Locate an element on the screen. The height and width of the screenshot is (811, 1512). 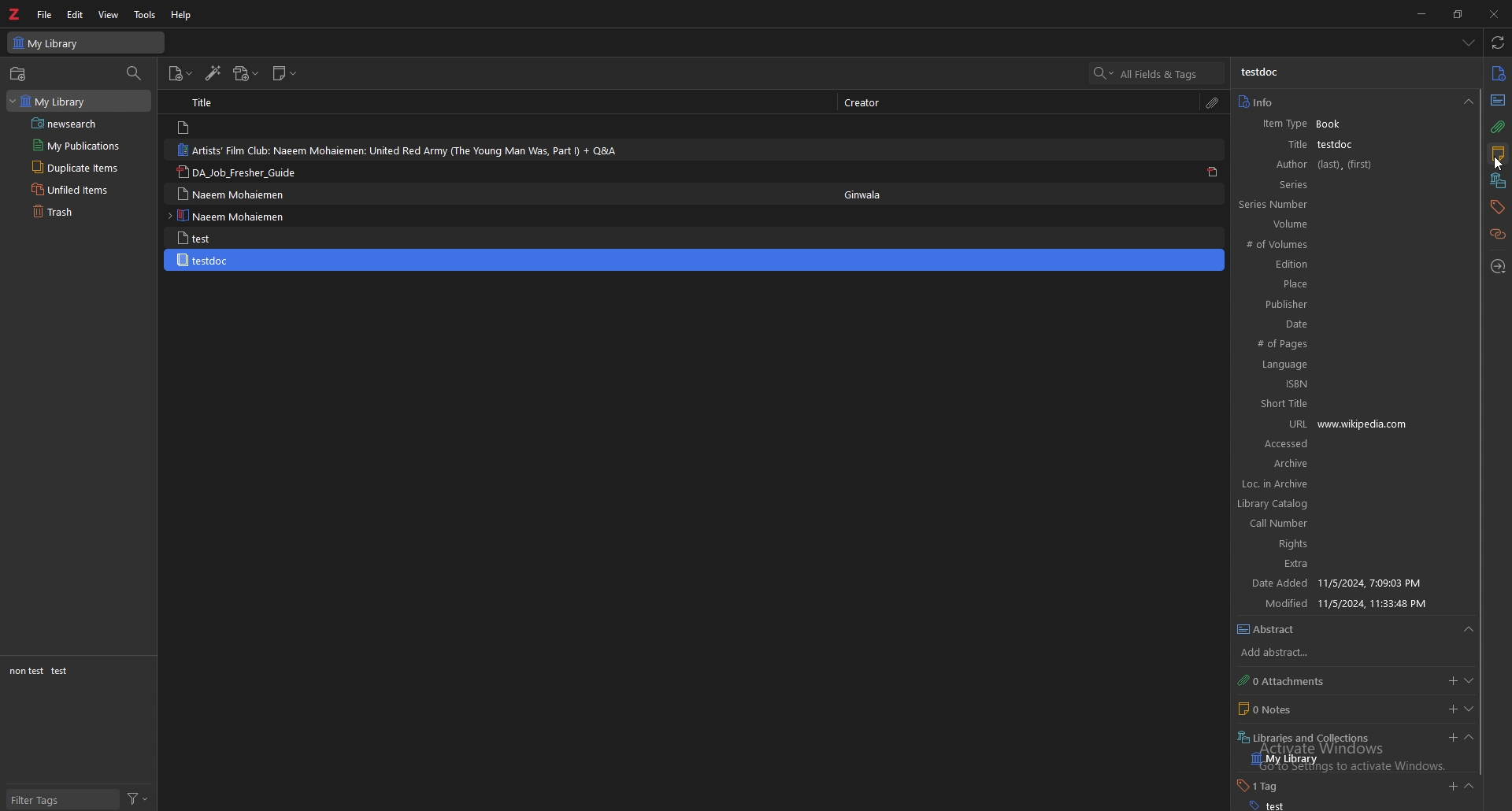
# of pages is located at coordinates (1343, 346).